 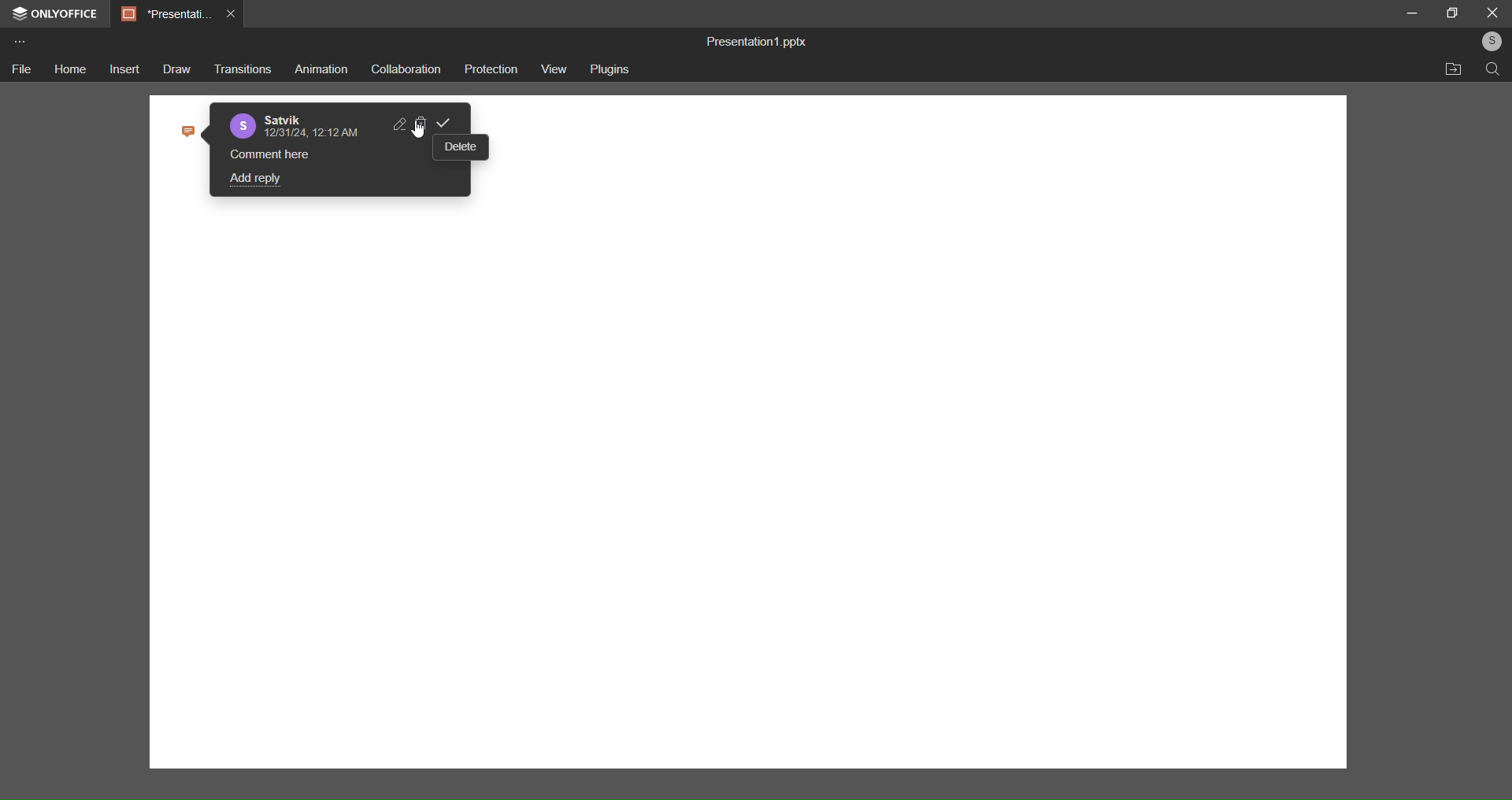 I want to click on search, so click(x=1490, y=70).